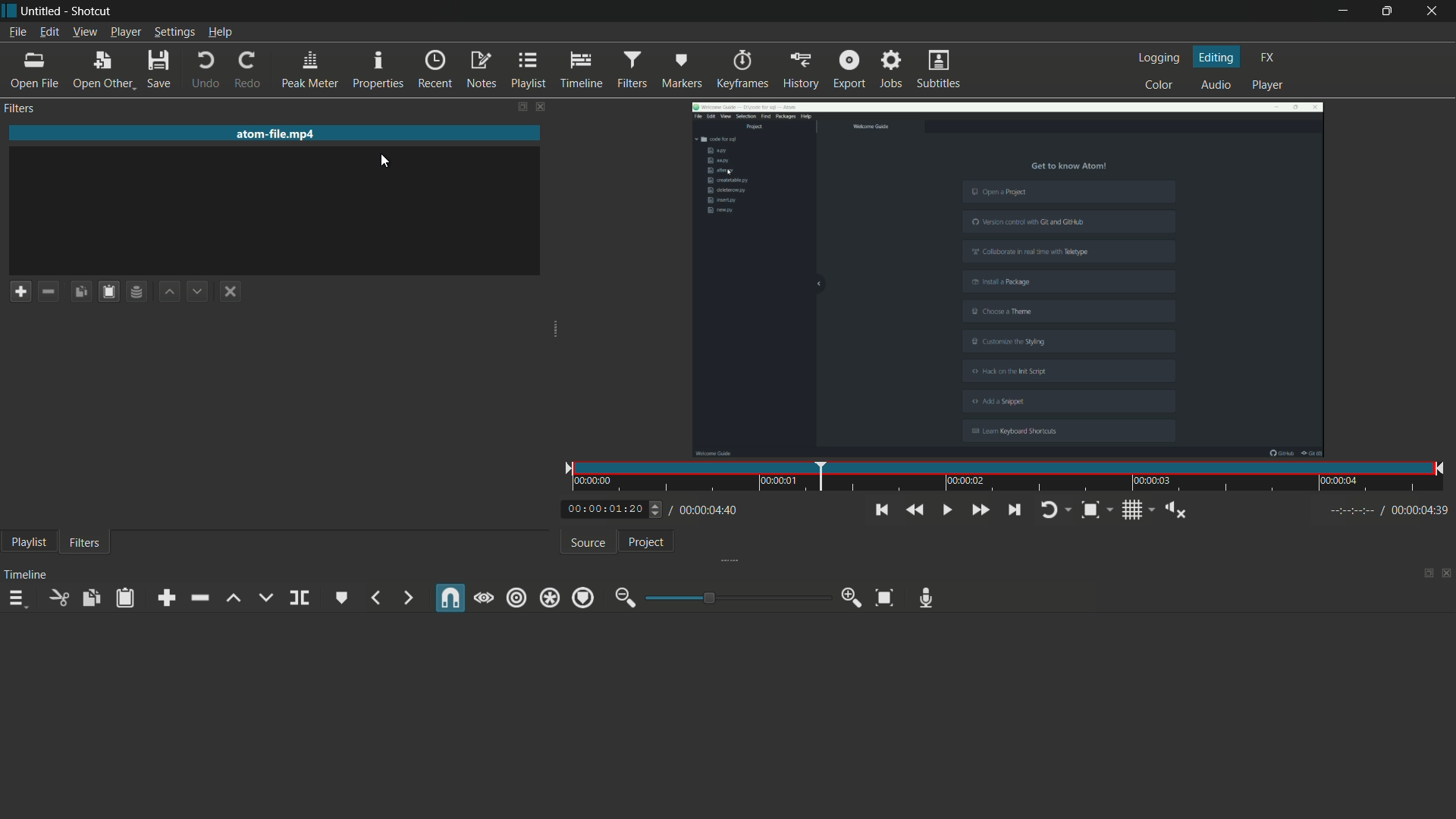 This screenshot has width=1456, height=819. What do you see at coordinates (205, 70) in the screenshot?
I see `undo` at bounding box center [205, 70].